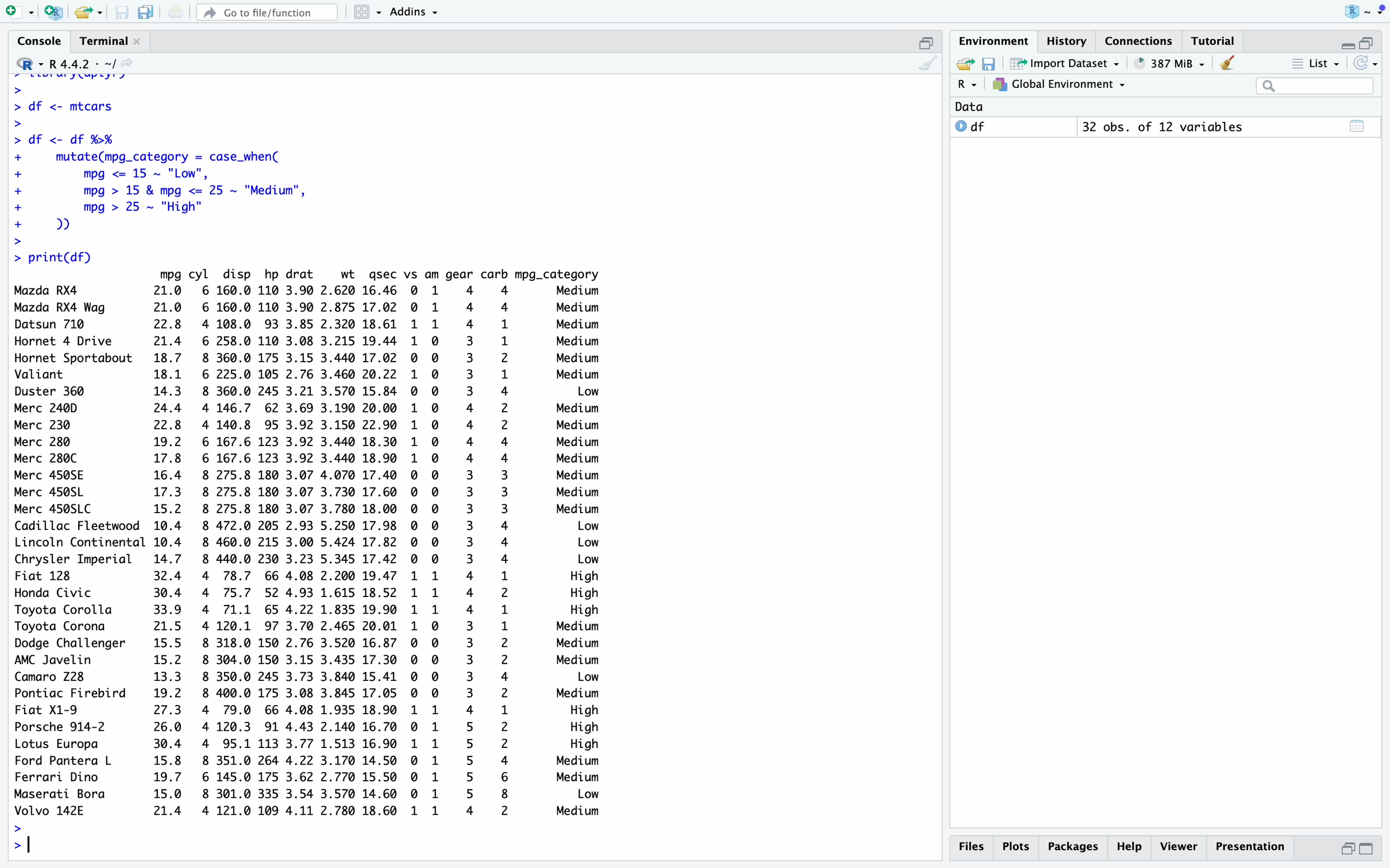  What do you see at coordinates (1362, 10) in the screenshot?
I see `logo` at bounding box center [1362, 10].